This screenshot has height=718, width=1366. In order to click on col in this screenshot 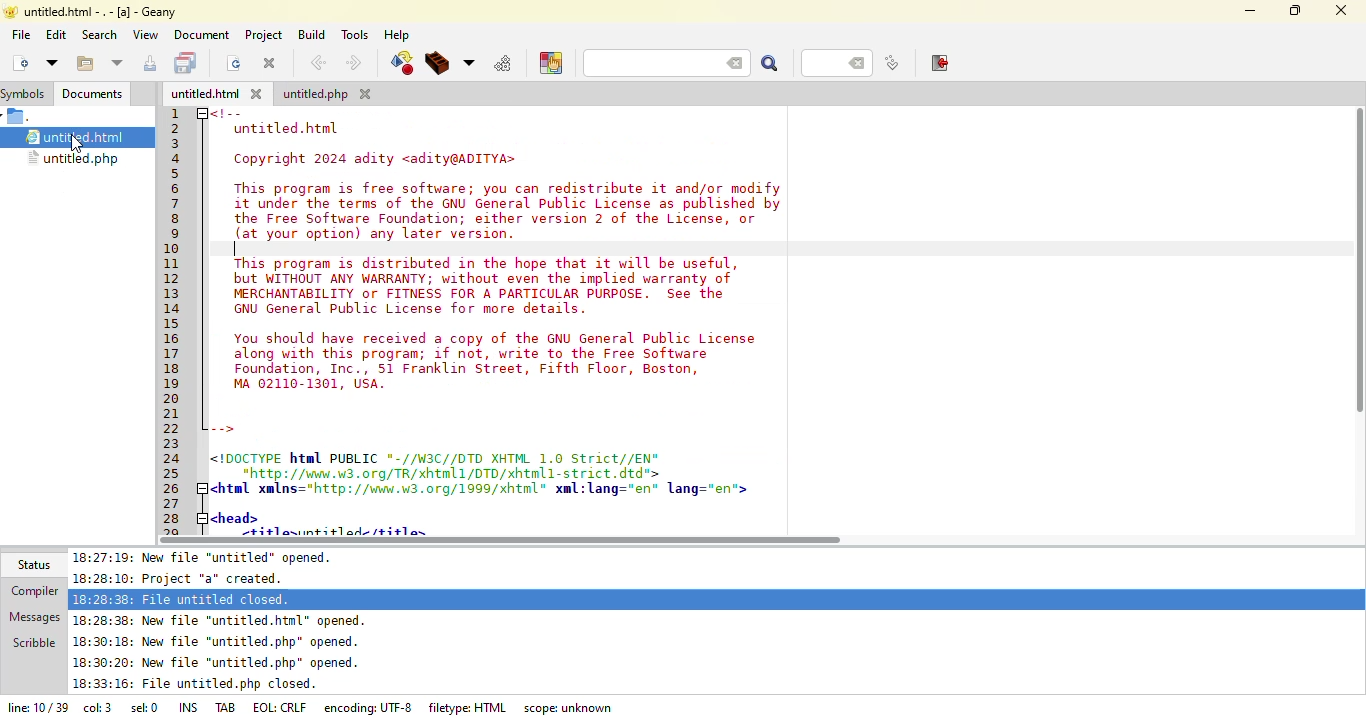, I will do `click(97, 706)`.